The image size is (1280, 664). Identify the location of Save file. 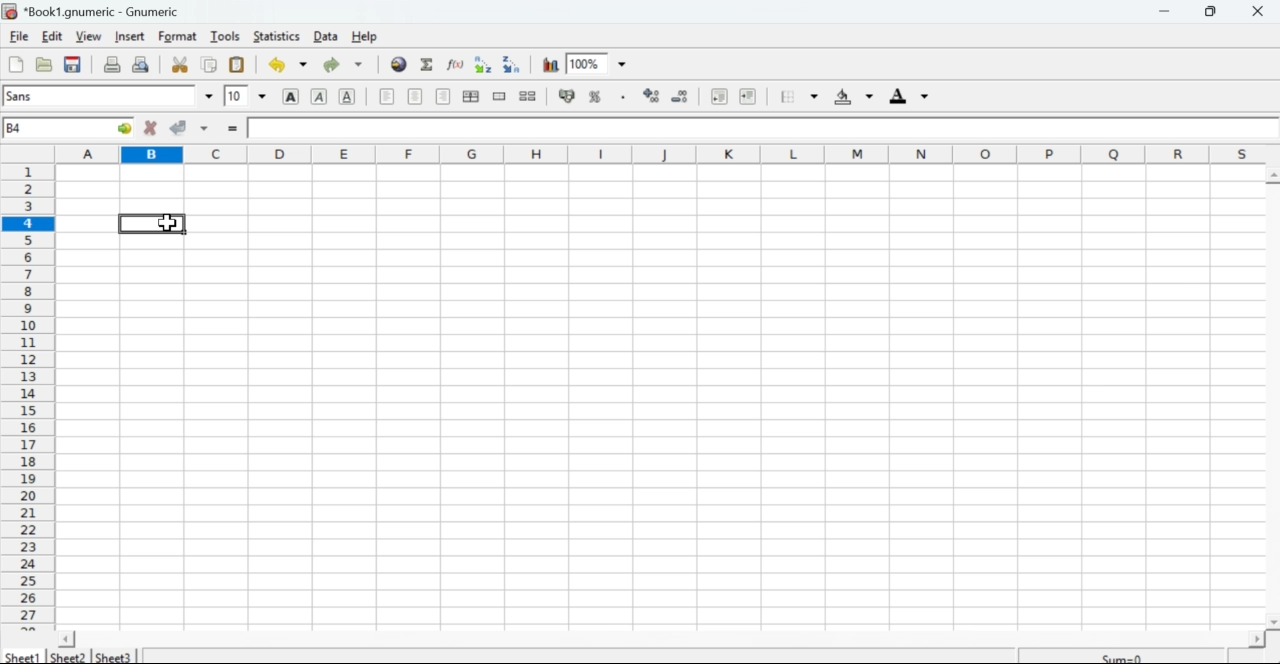
(73, 66).